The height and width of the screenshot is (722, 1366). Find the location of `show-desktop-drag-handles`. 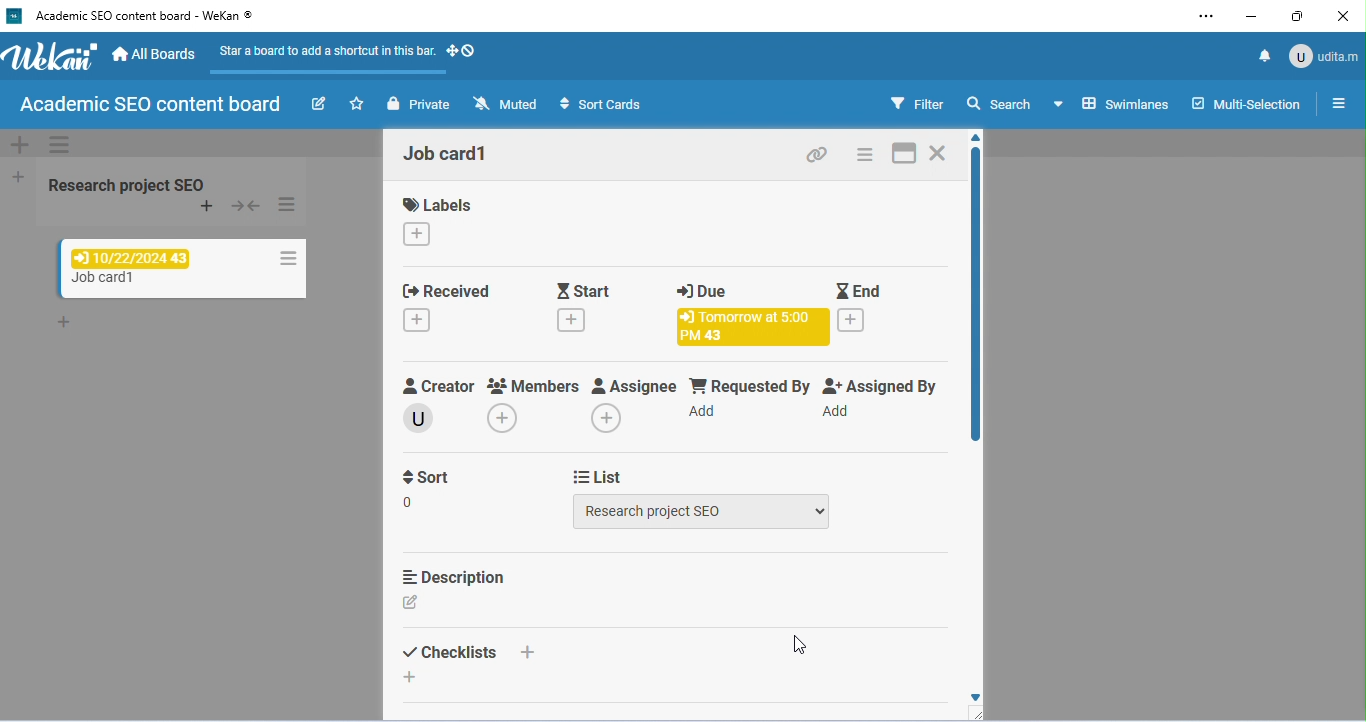

show-desktop-drag-handles is located at coordinates (462, 50).